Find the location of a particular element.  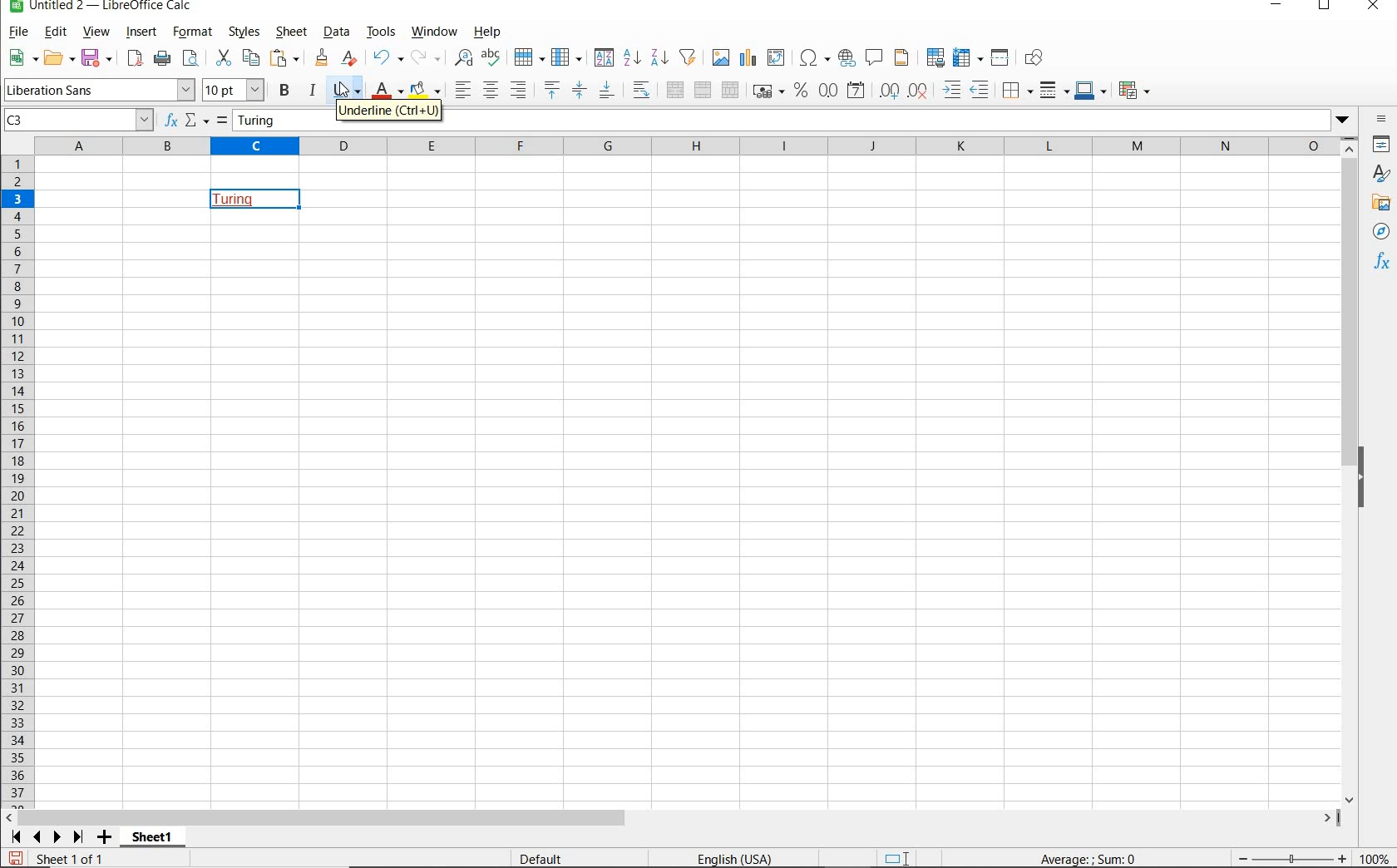

HEADERS AND FOOTERS is located at coordinates (901, 58).